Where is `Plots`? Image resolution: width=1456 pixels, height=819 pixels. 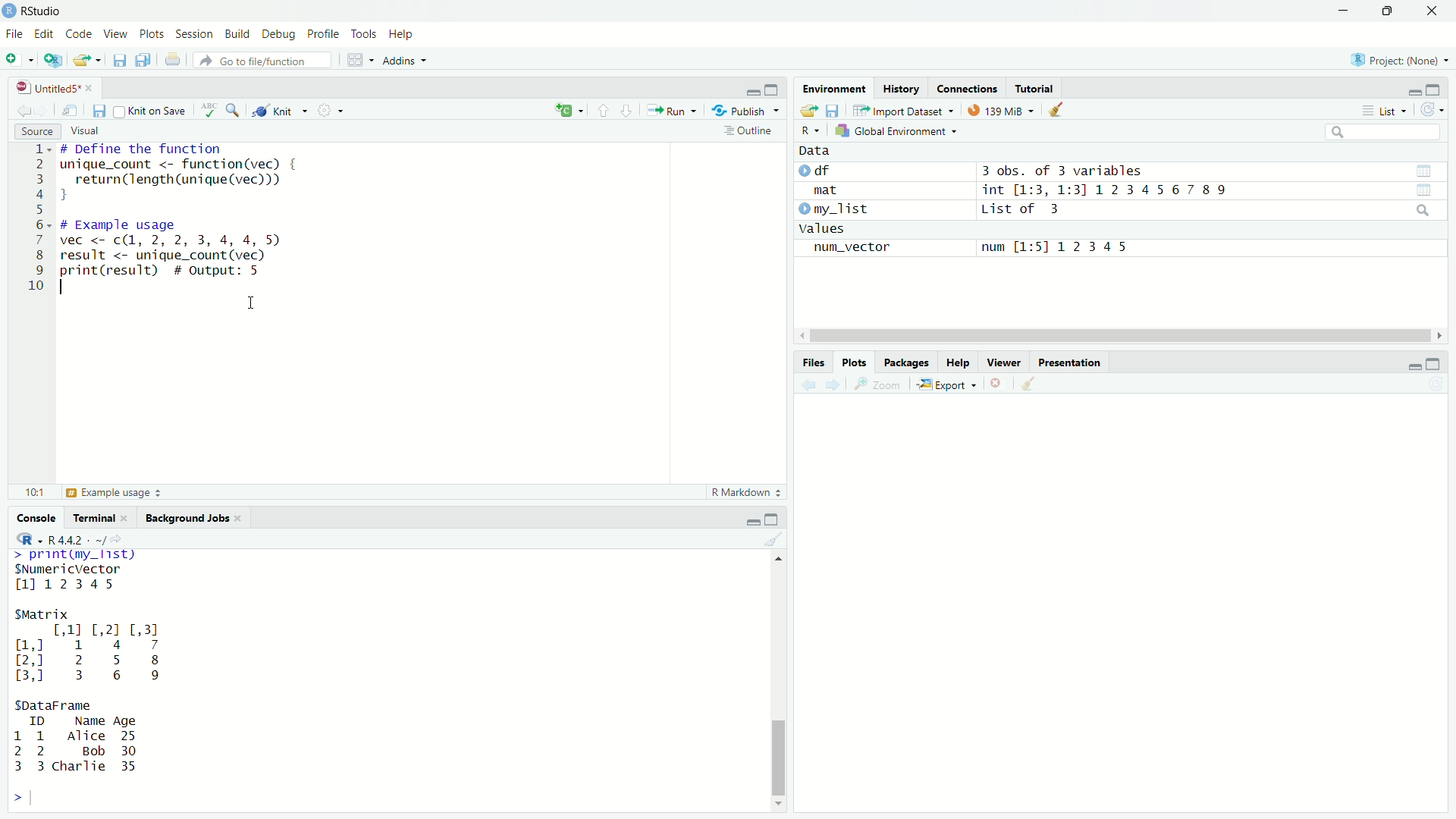 Plots is located at coordinates (152, 34).